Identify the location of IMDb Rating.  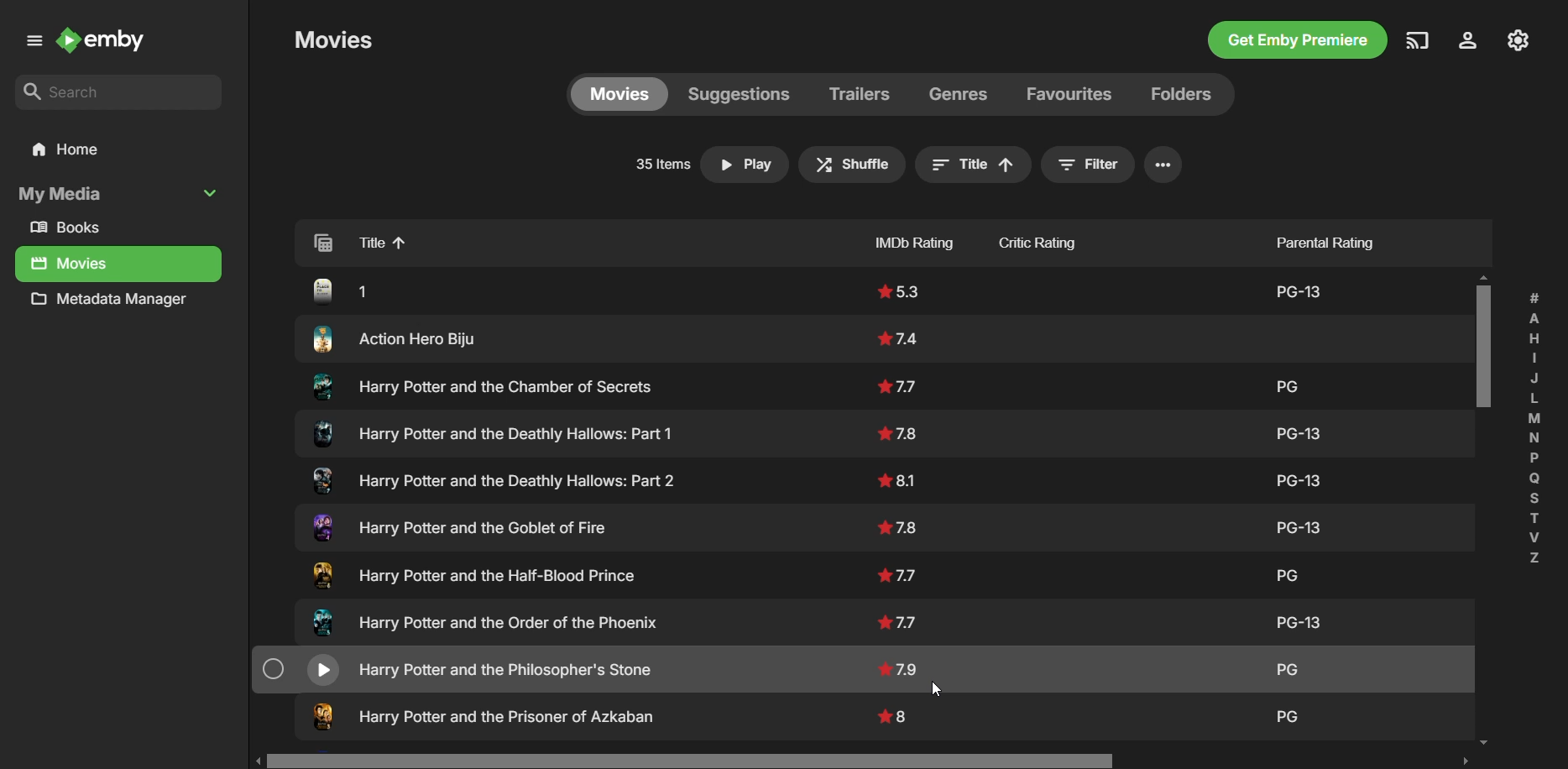
(881, 239).